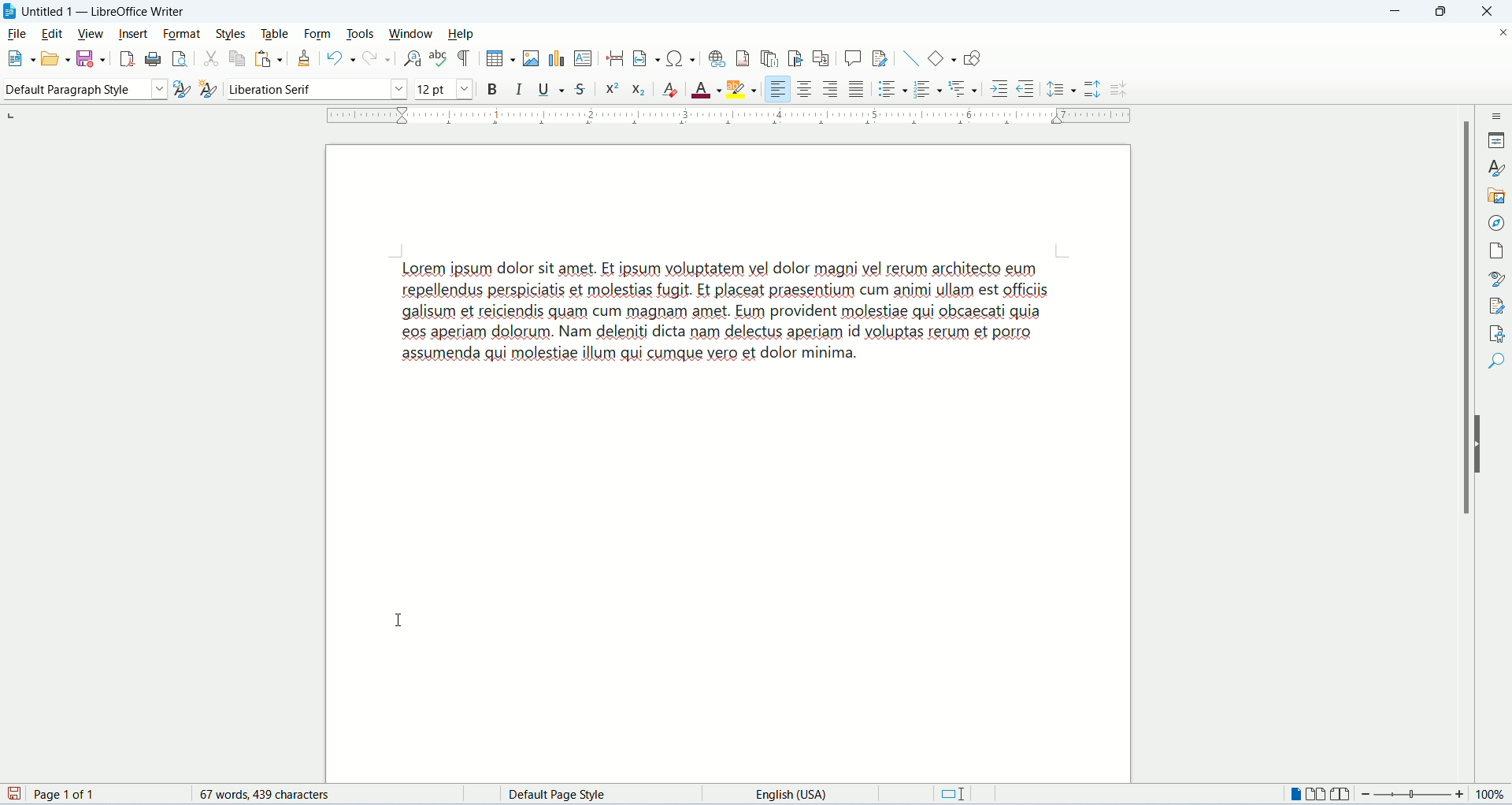 The width and height of the screenshot is (1512, 805). I want to click on format outline, so click(962, 88).